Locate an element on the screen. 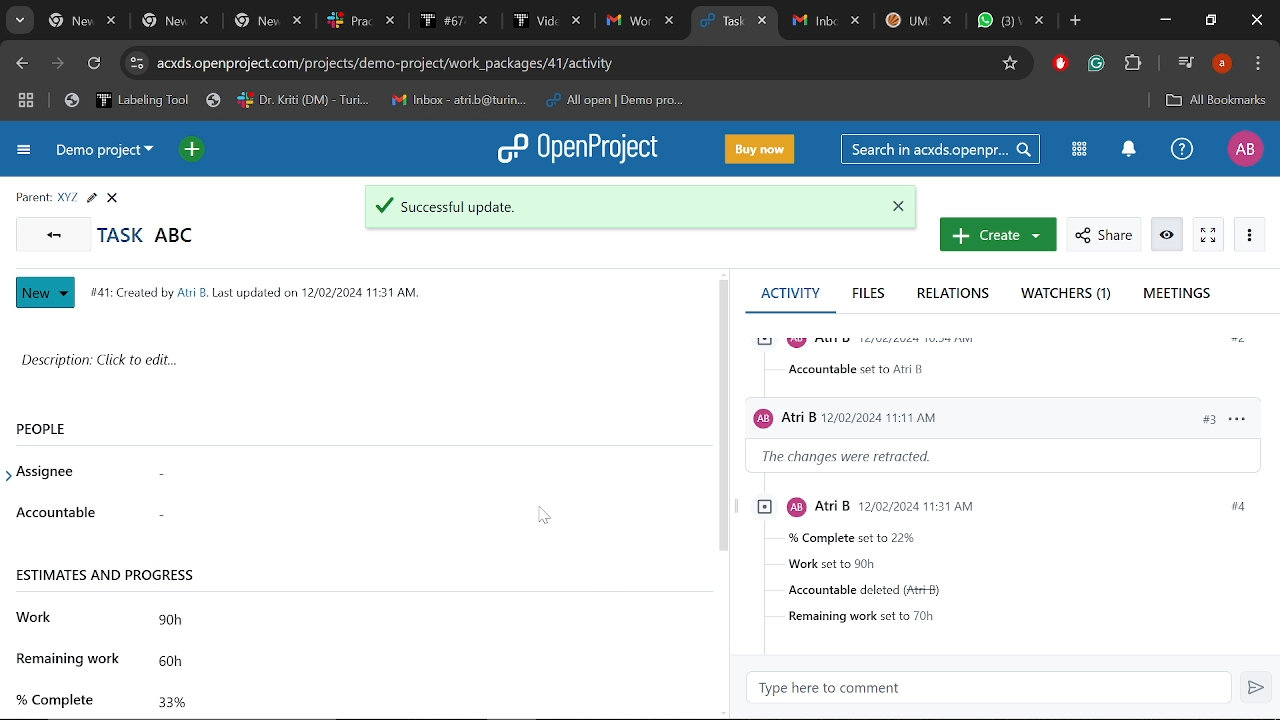 The image size is (1280, 720). Help is located at coordinates (1182, 151).